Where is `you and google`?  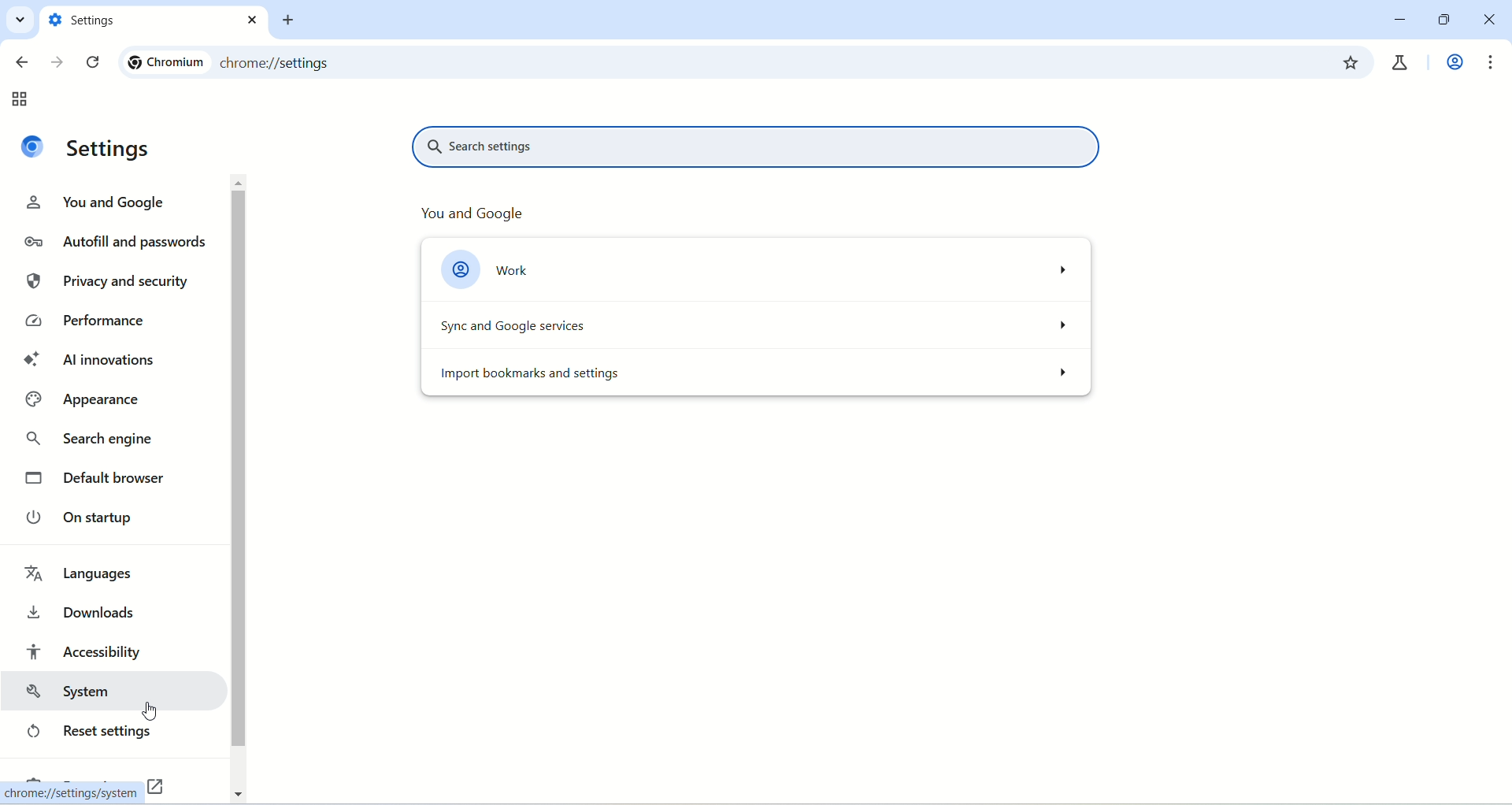
you and google is located at coordinates (467, 210).